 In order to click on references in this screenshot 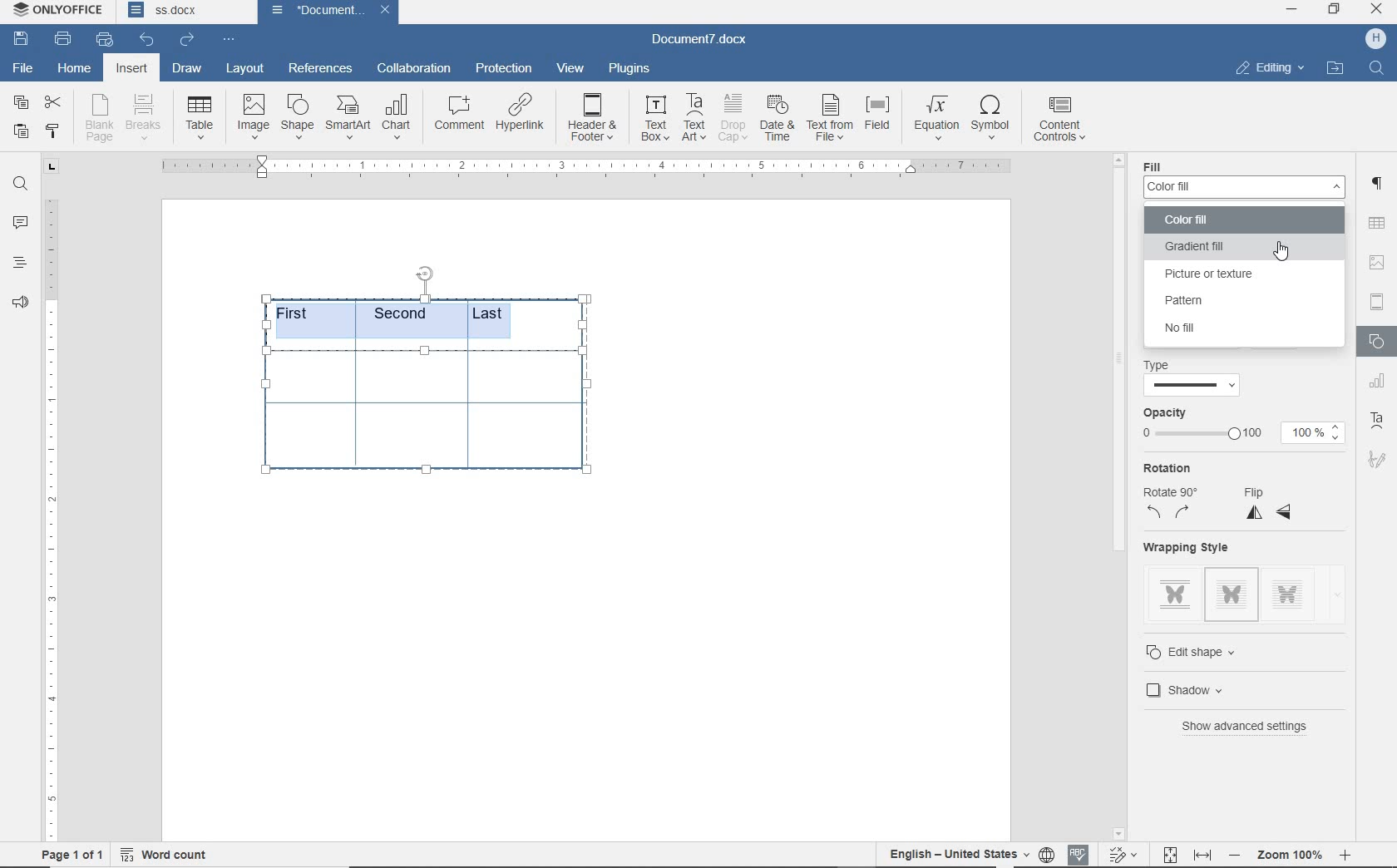, I will do `click(320, 66)`.